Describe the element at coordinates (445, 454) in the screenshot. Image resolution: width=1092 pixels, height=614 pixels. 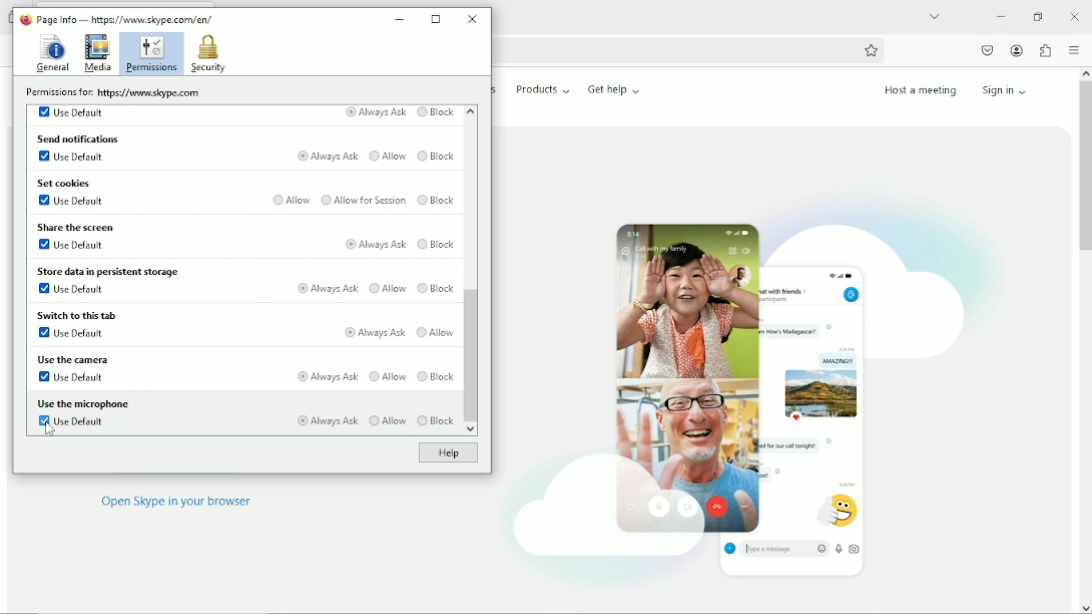
I see `Help` at that location.